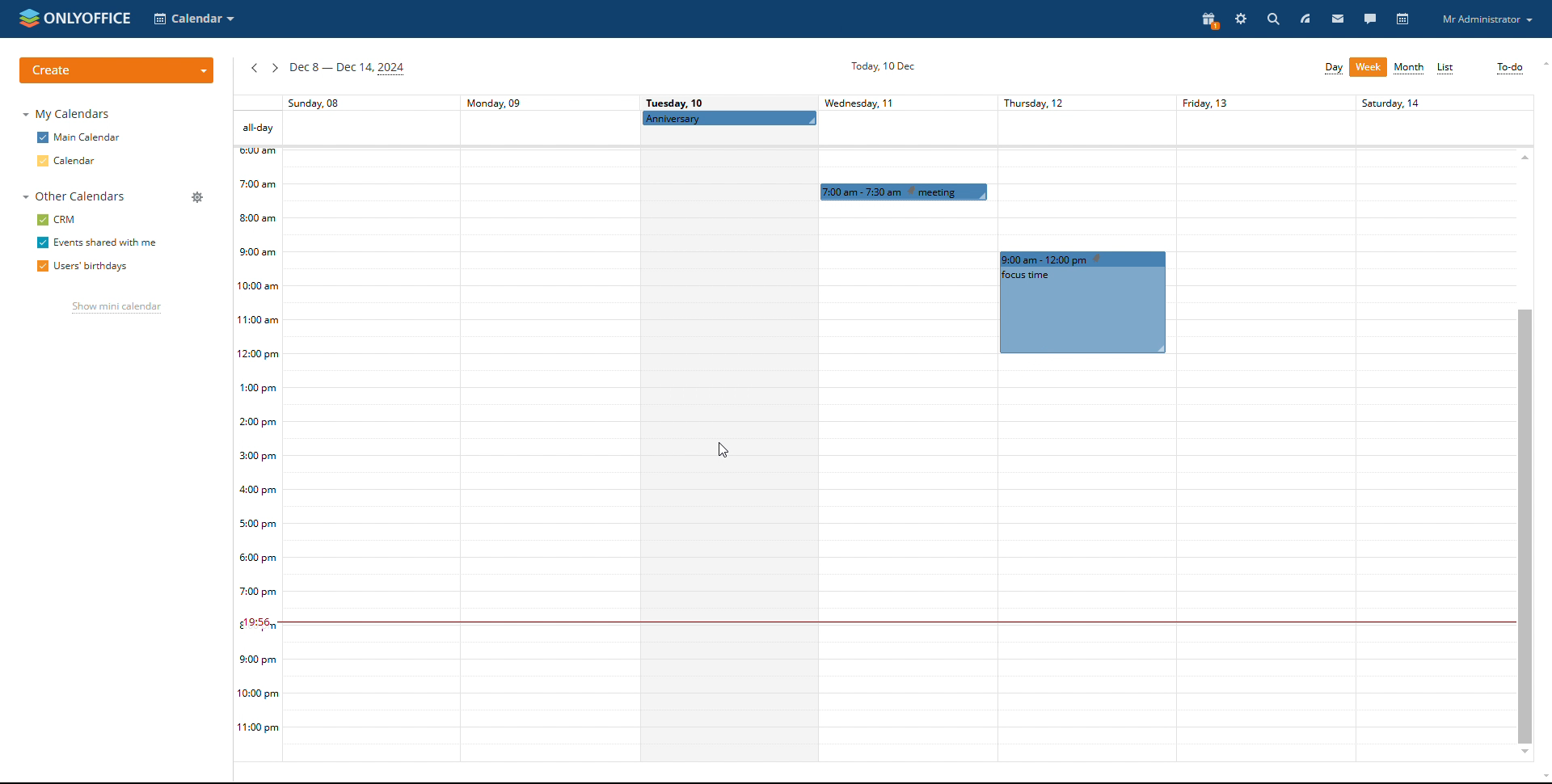  What do you see at coordinates (1305, 18) in the screenshot?
I see `feed` at bounding box center [1305, 18].